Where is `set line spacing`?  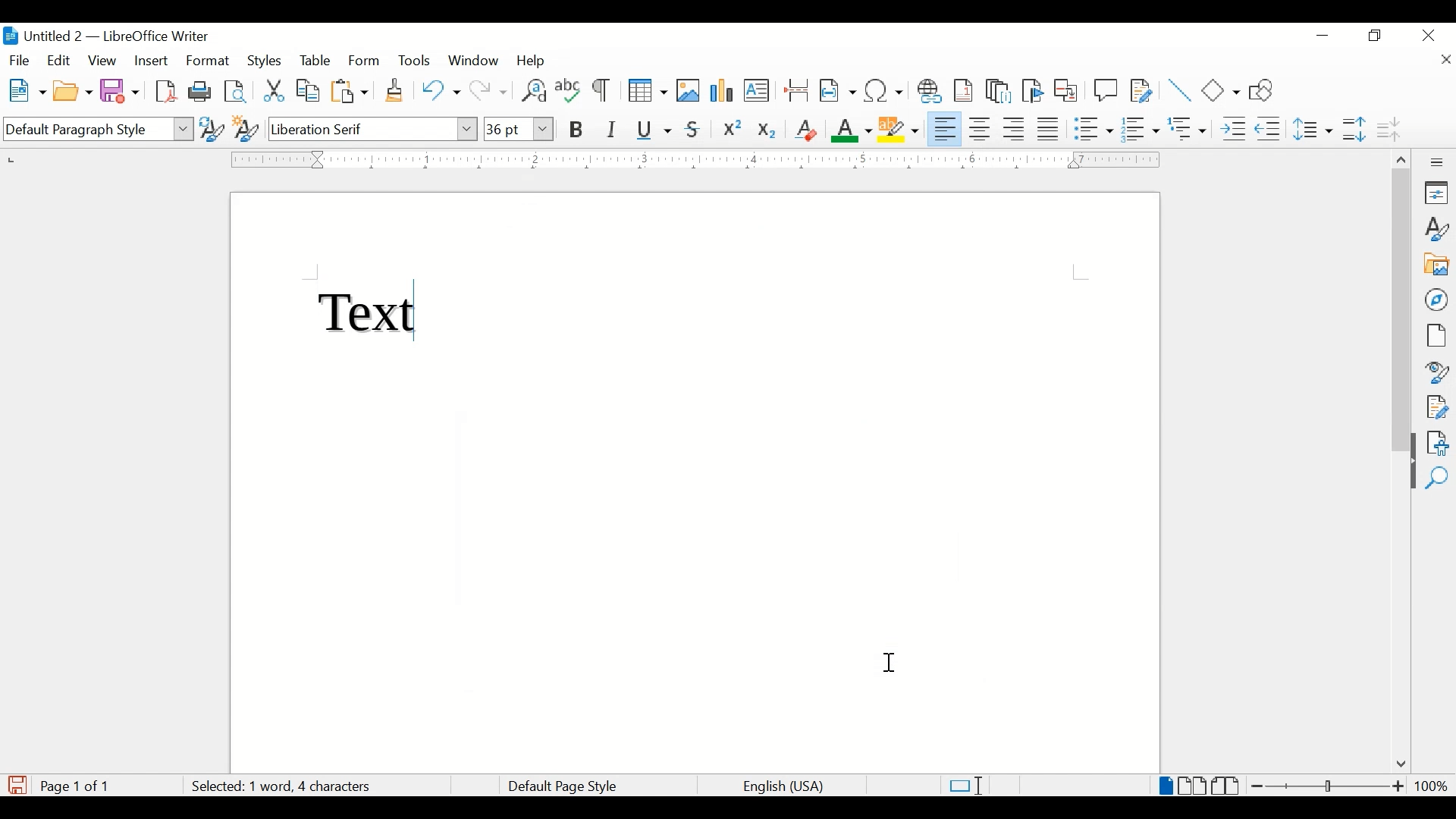 set line spacing is located at coordinates (1314, 129).